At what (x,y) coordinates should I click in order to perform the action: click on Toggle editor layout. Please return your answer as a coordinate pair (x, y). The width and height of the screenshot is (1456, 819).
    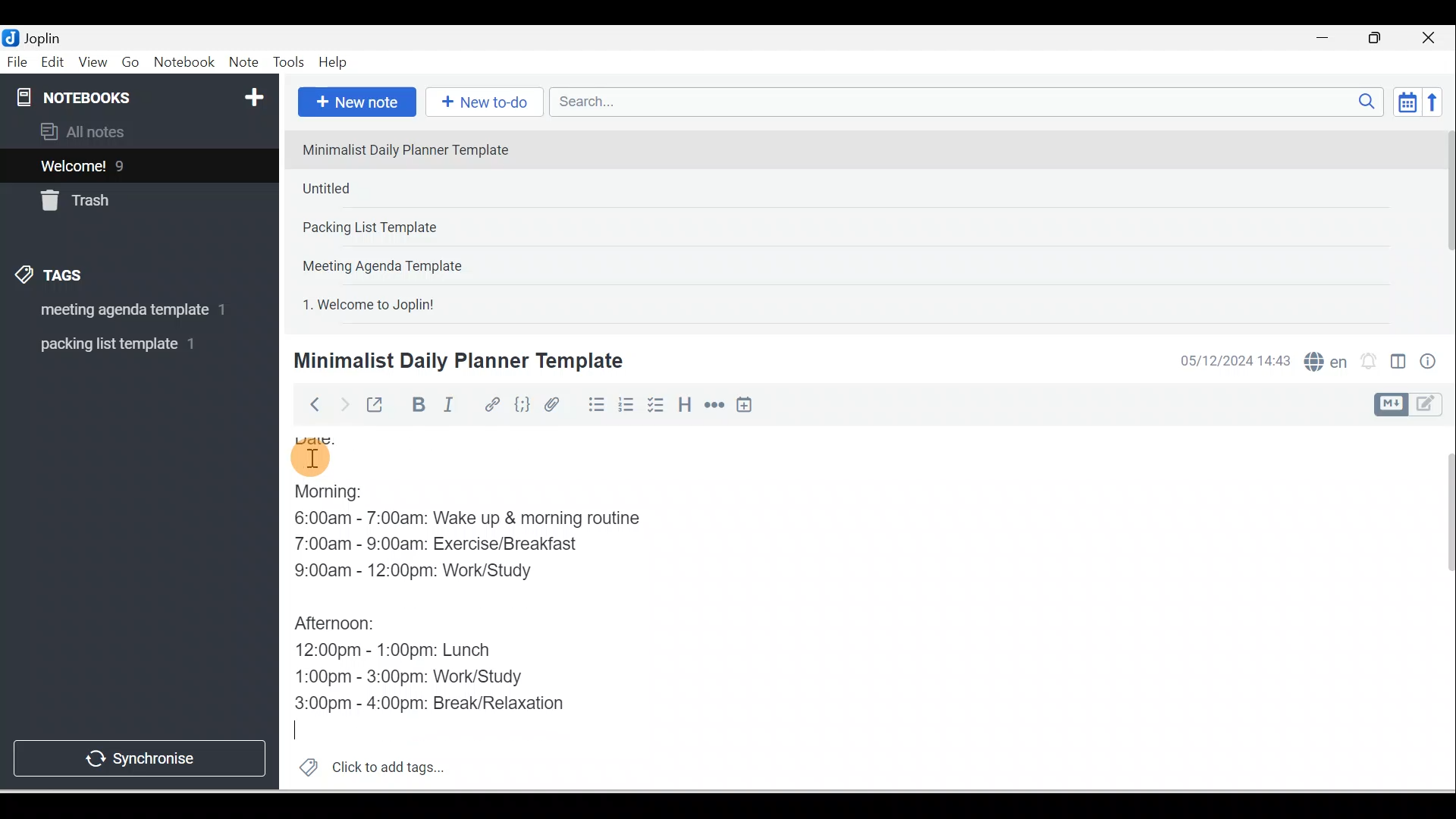
    Looking at the image, I should click on (1414, 405).